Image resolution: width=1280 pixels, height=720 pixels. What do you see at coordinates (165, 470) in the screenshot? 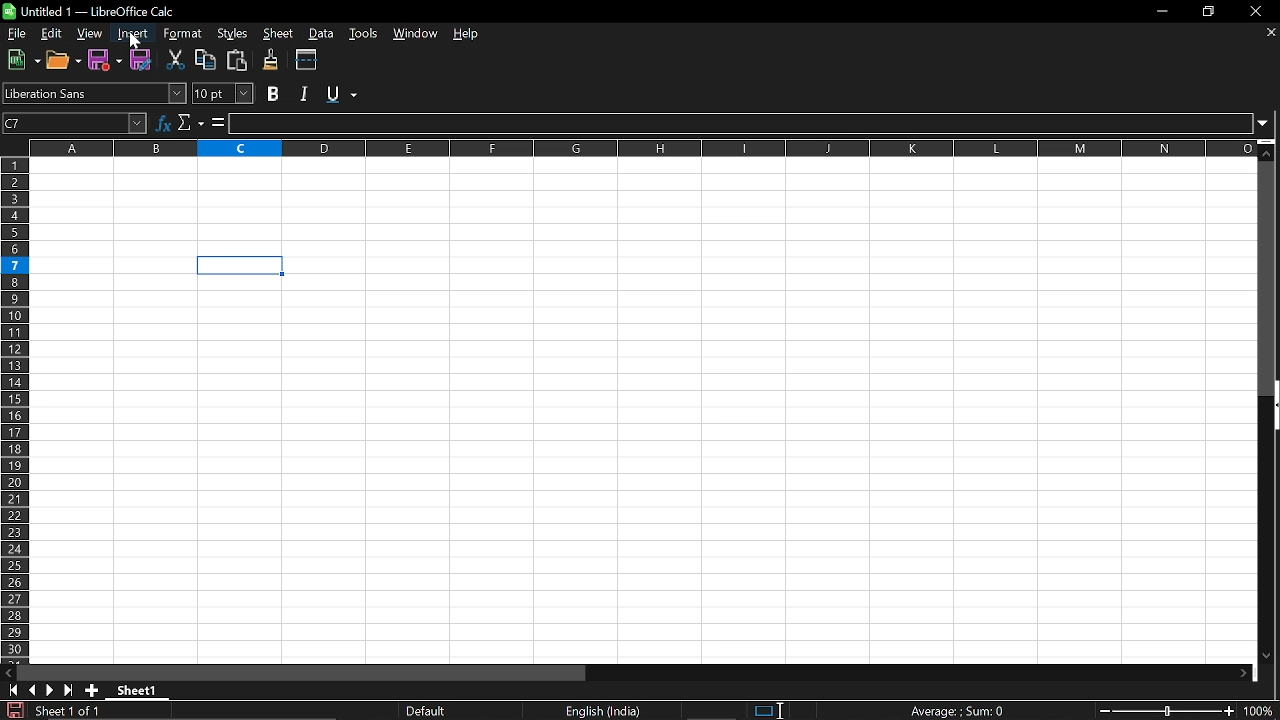
I see `Fillable cells` at bounding box center [165, 470].